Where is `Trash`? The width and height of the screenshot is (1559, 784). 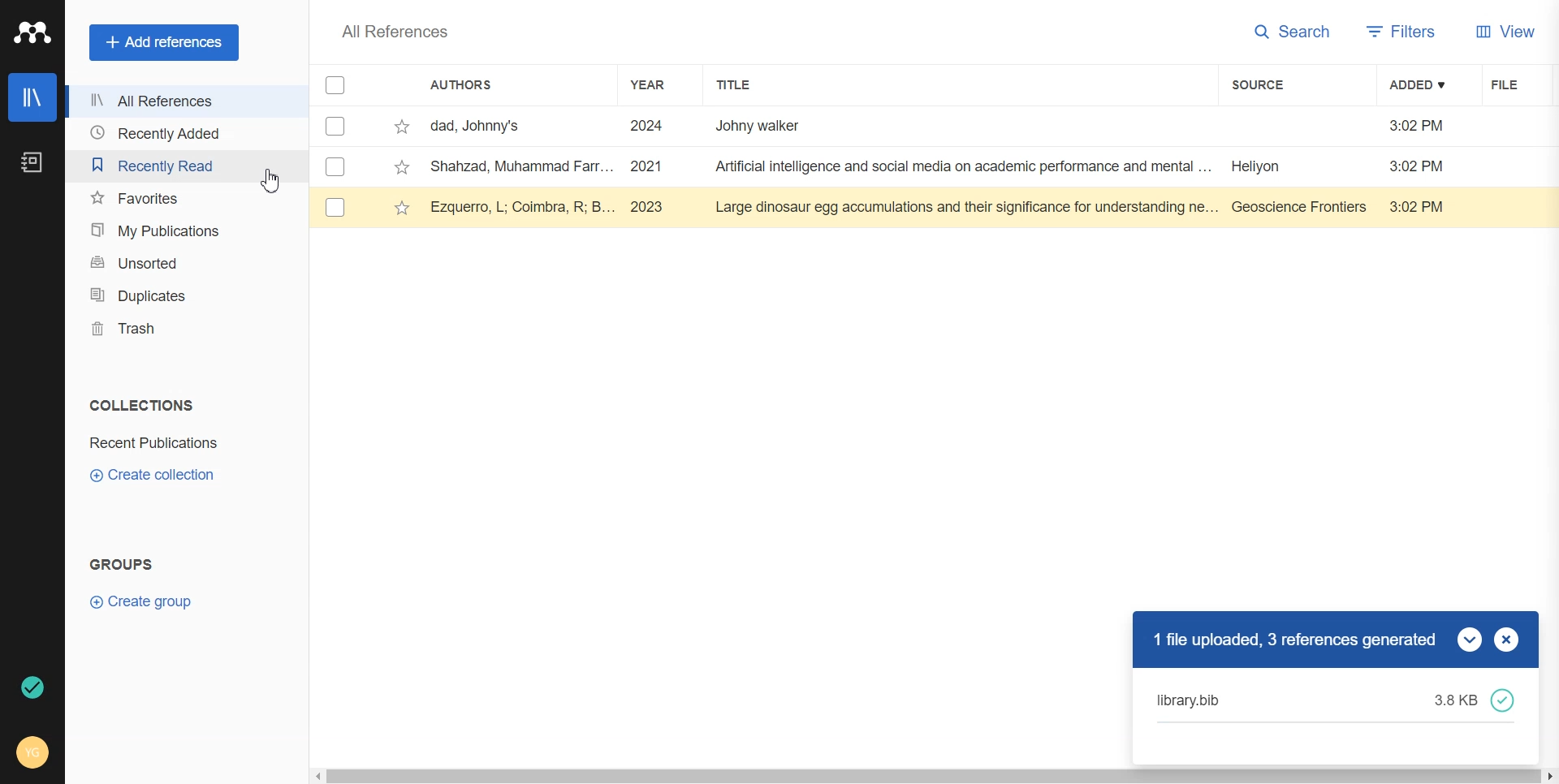 Trash is located at coordinates (185, 330).